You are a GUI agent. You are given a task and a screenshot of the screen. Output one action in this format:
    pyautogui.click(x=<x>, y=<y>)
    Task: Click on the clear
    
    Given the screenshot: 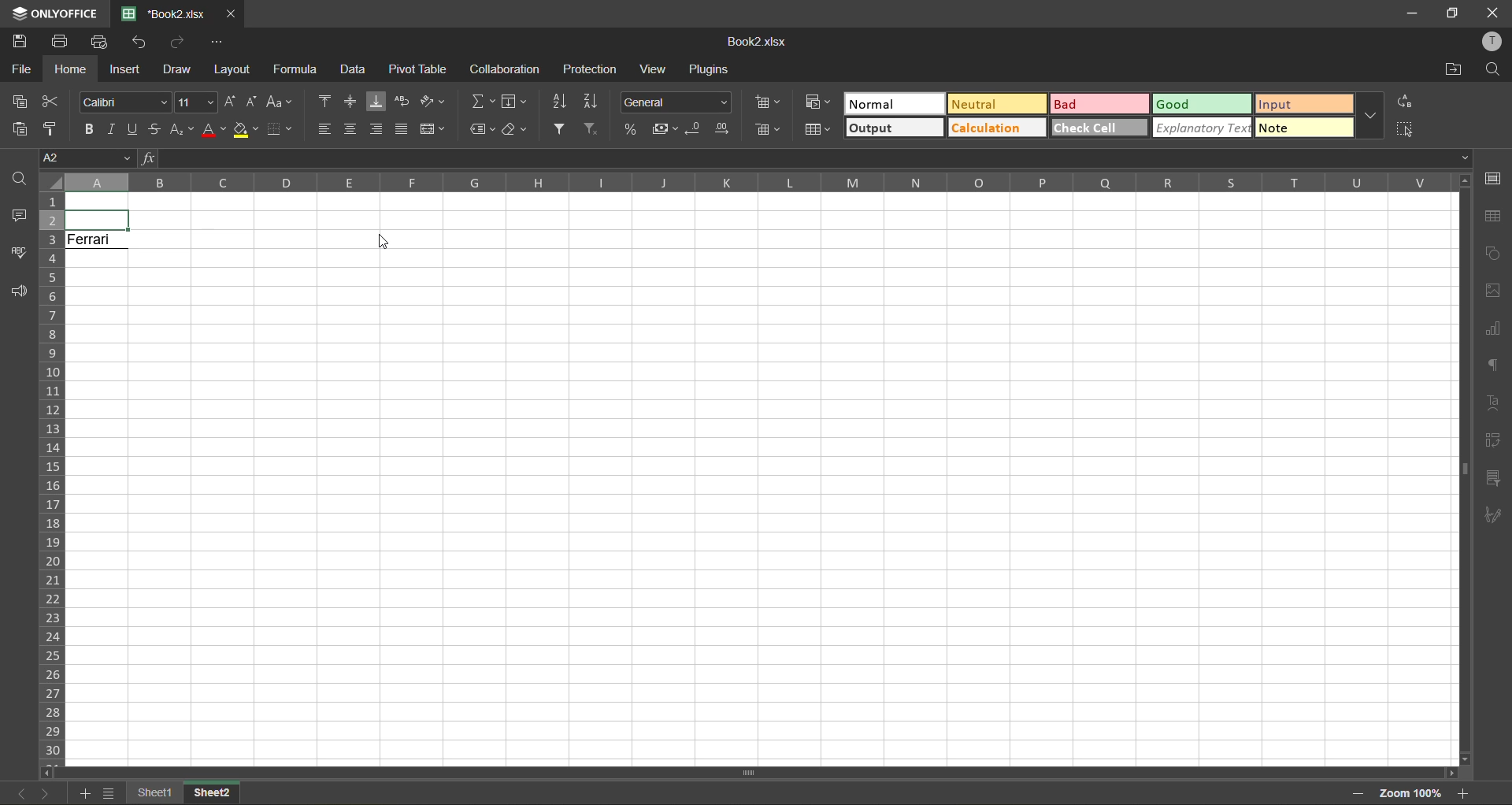 What is the action you would take?
    pyautogui.click(x=517, y=131)
    